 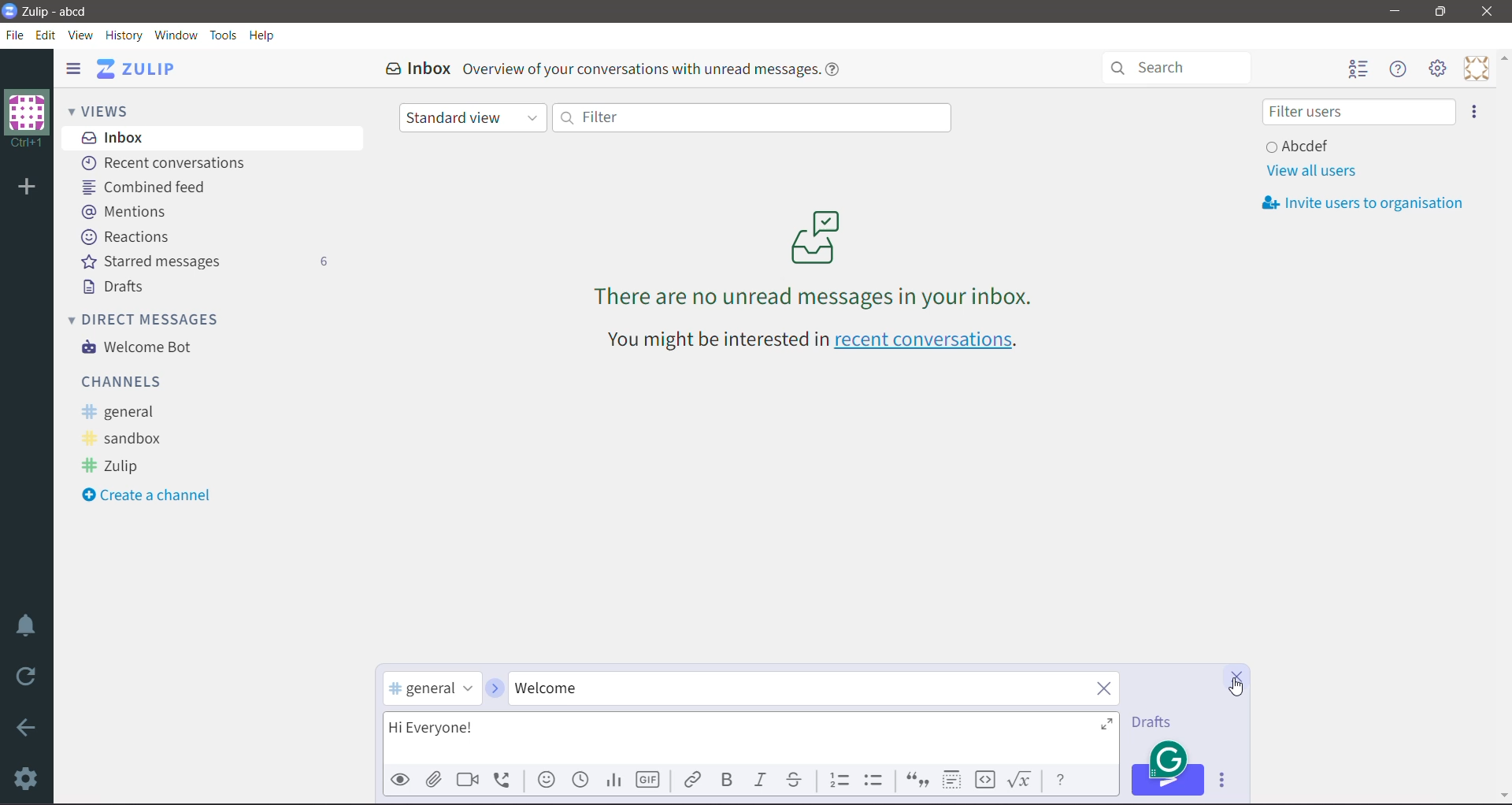 I want to click on Reactions, so click(x=128, y=237).